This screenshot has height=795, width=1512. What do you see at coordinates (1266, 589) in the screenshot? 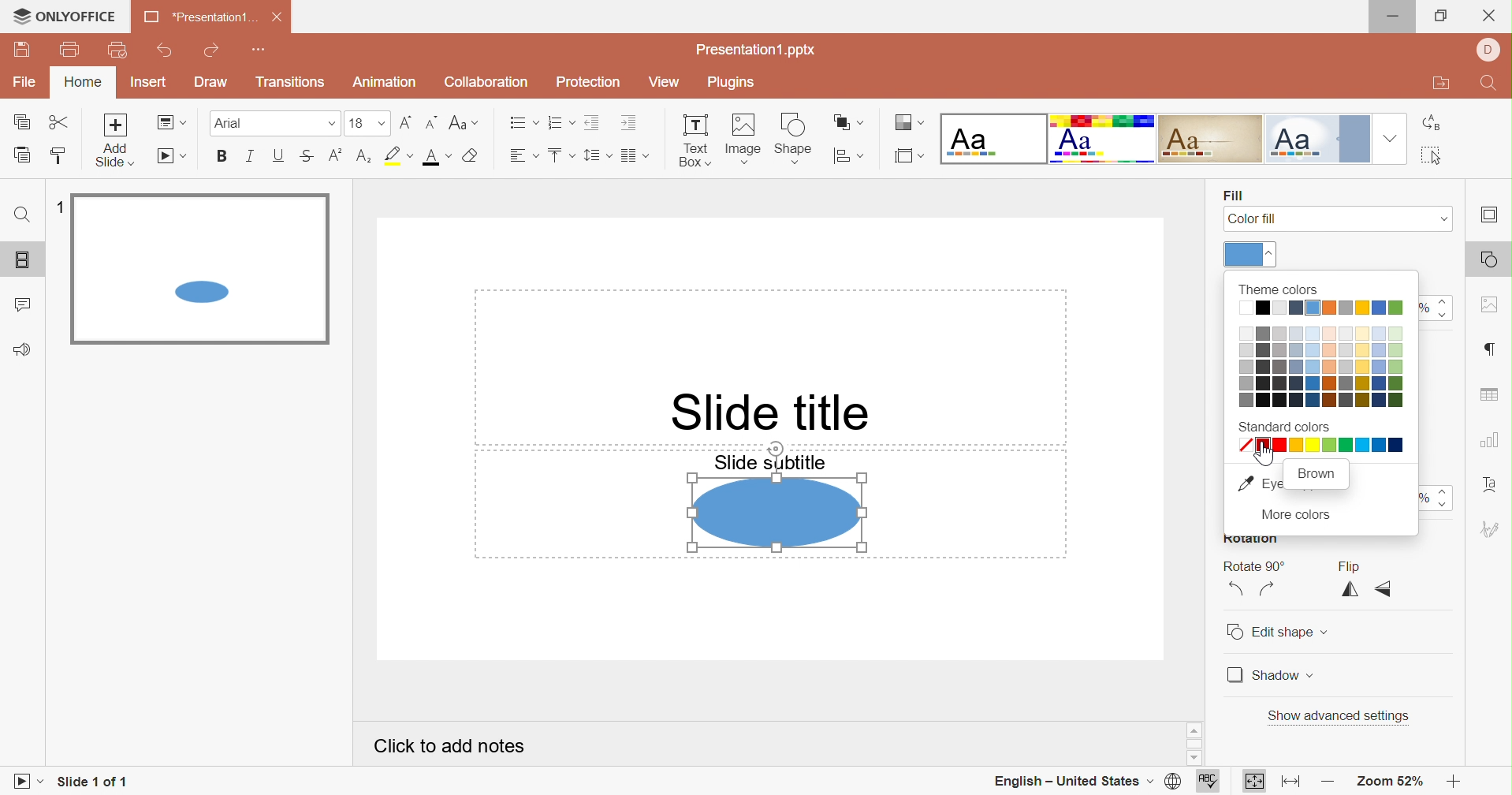
I see `Rotate 90° Clockwise` at bounding box center [1266, 589].